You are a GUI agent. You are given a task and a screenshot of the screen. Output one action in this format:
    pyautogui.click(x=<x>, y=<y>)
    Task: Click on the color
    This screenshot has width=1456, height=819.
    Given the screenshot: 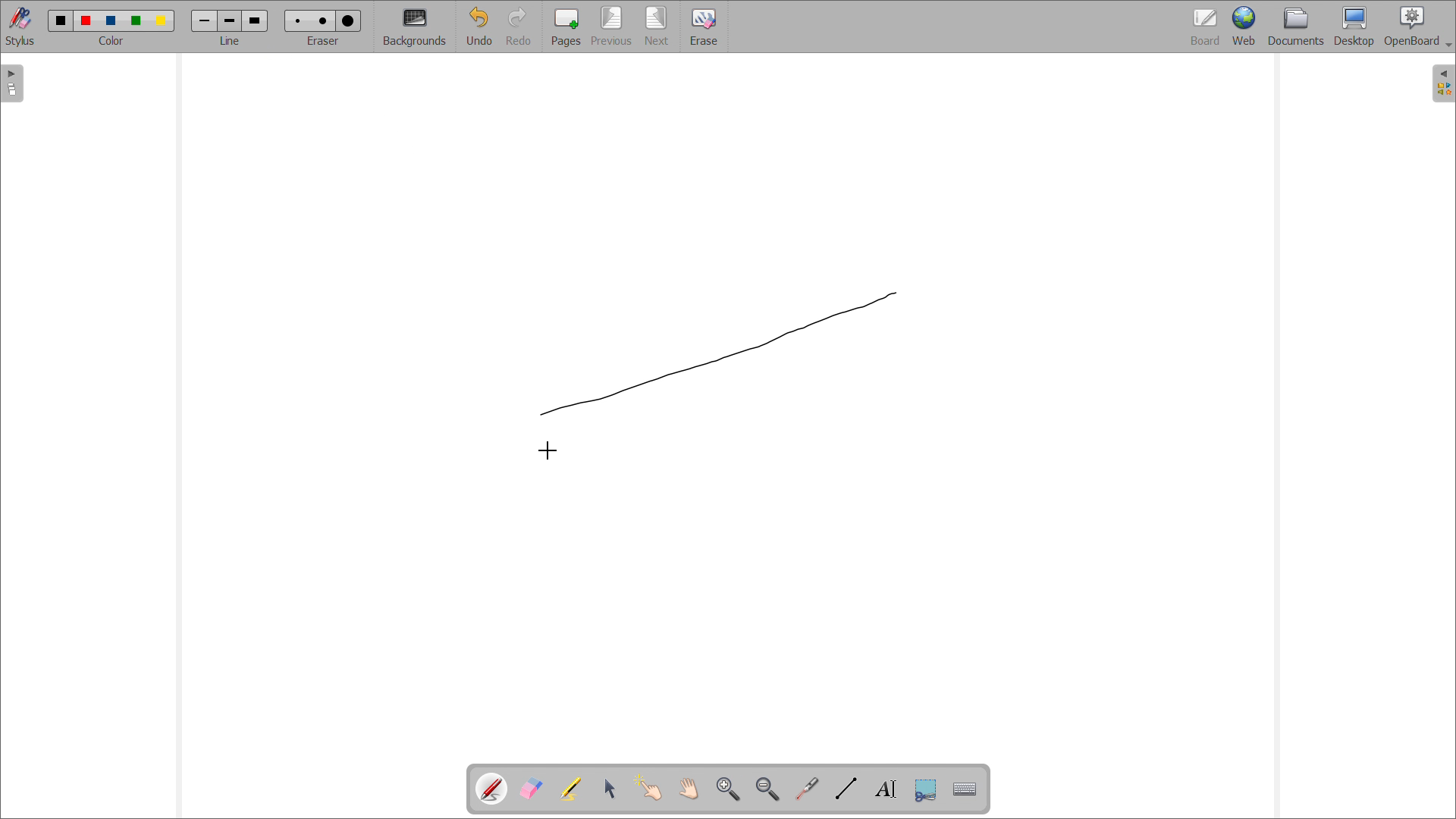 What is the action you would take?
    pyautogui.click(x=161, y=21)
    